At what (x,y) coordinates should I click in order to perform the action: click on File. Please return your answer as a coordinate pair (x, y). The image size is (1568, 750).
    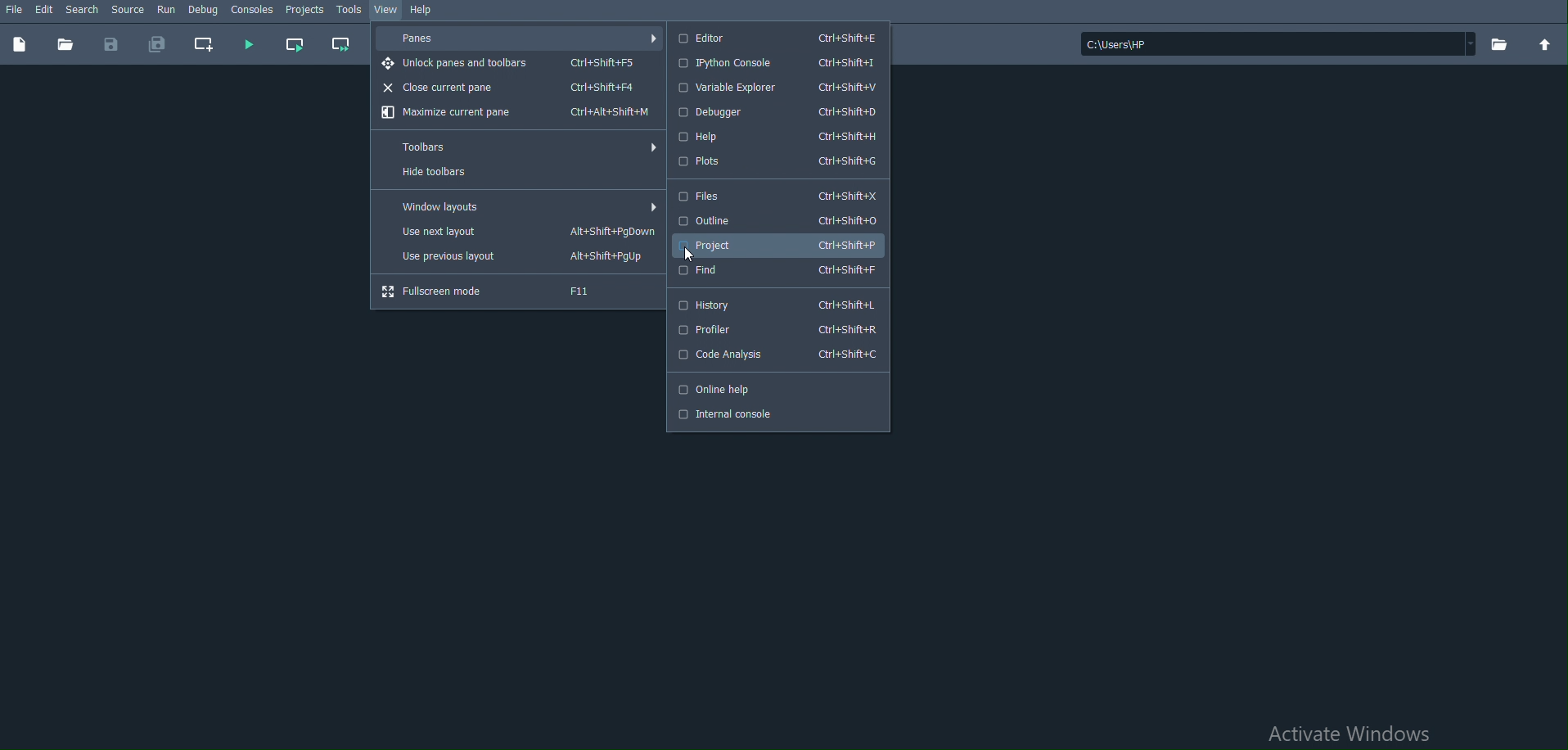
    Looking at the image, I should click on (13, 8).